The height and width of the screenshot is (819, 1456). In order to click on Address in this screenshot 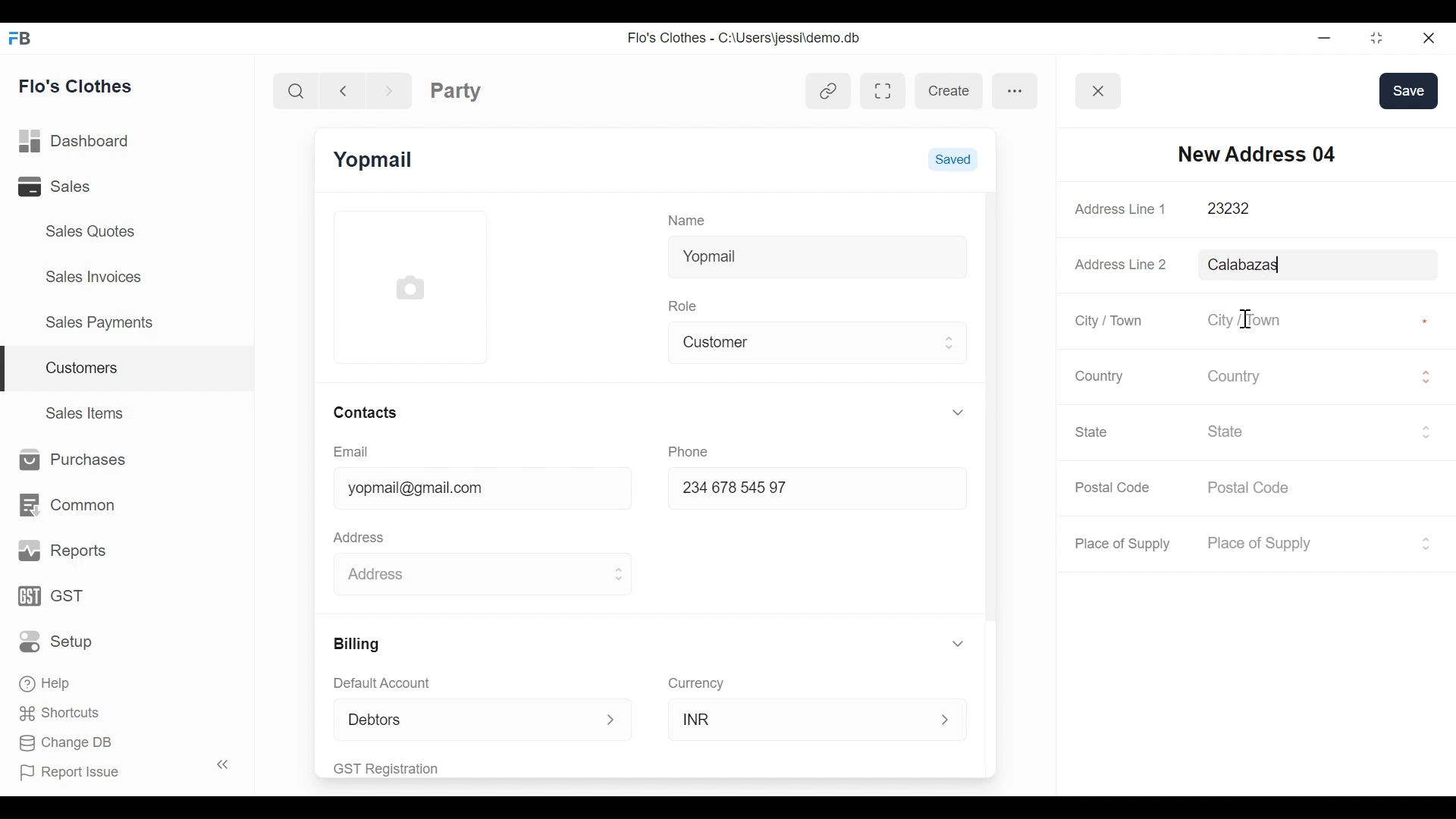, I will do `click(362, 535)`.